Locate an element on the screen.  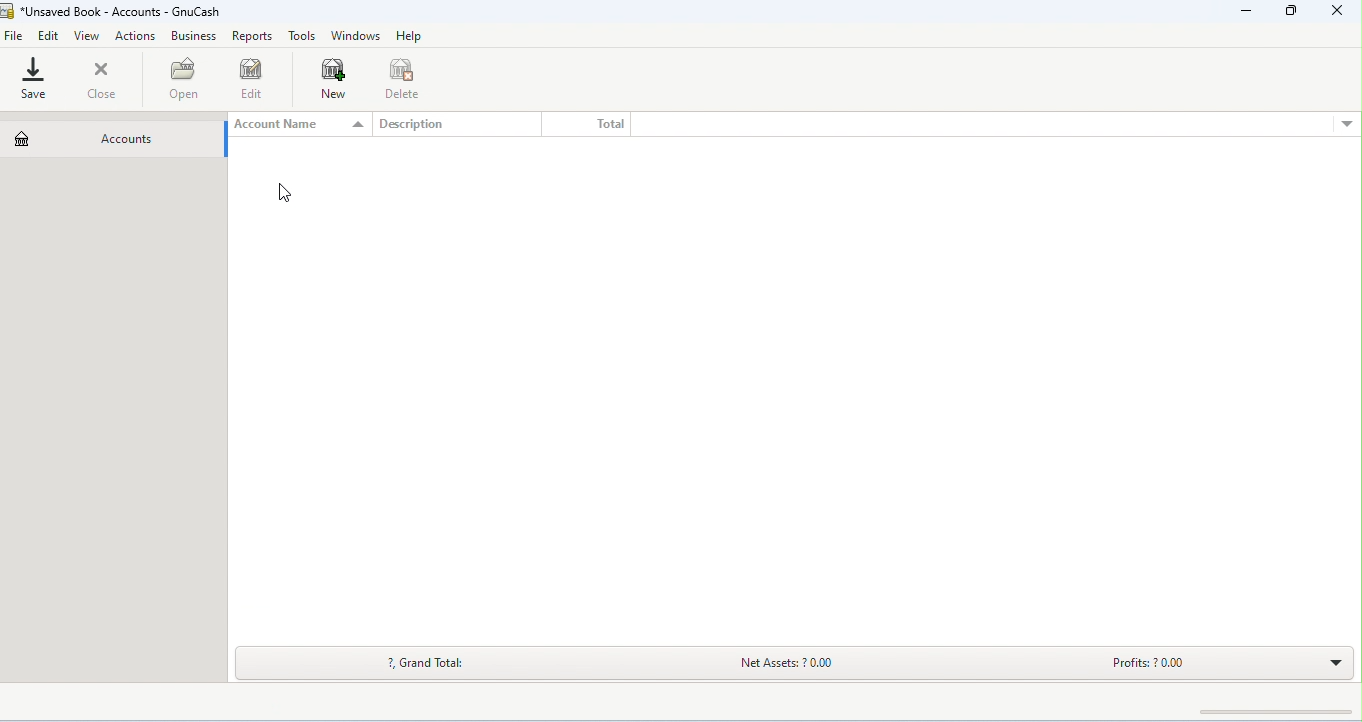
edit is located at coordinates (49, 37).